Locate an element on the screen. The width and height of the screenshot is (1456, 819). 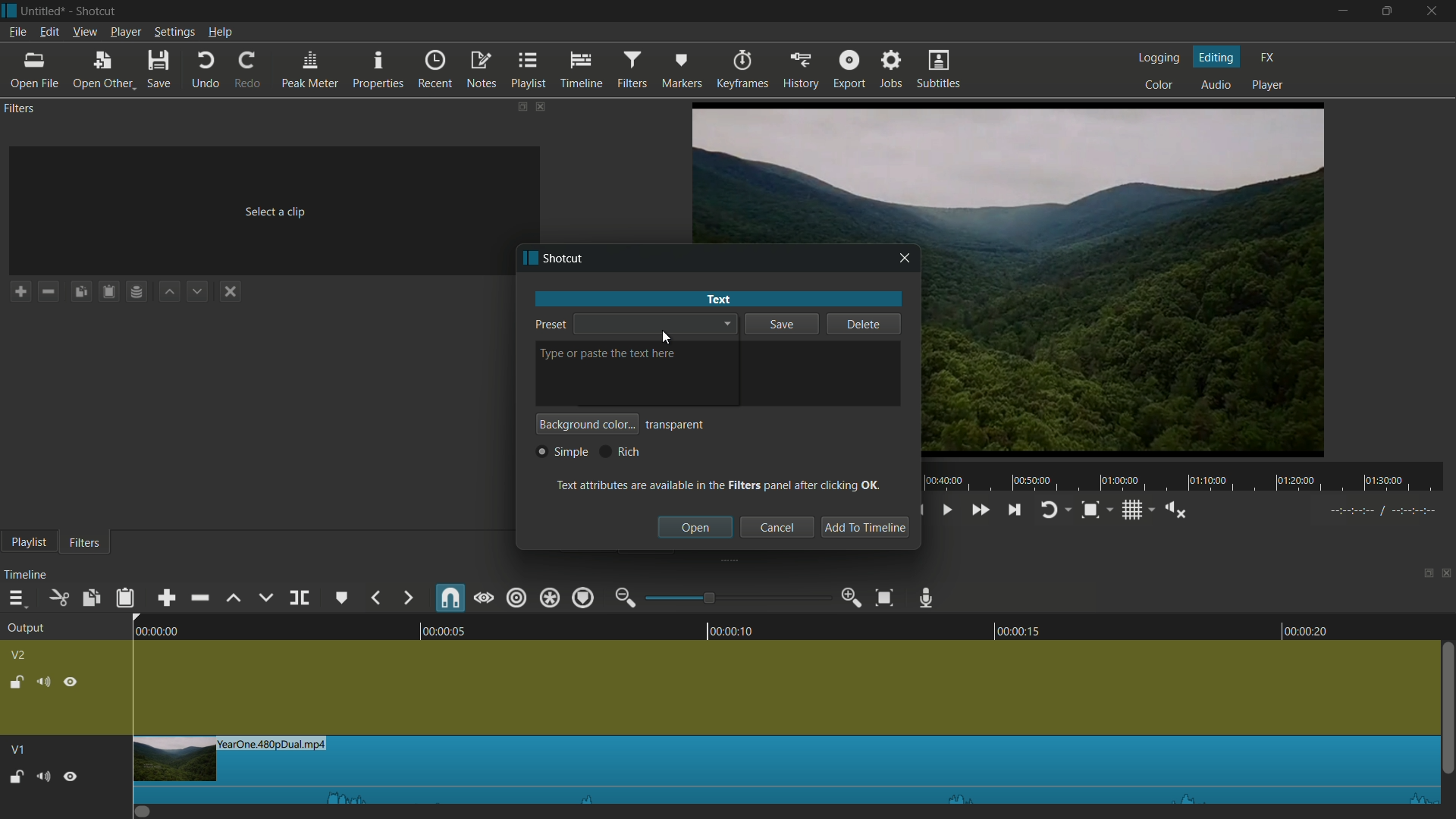
close timeline is located at coordinates (1447, 576).